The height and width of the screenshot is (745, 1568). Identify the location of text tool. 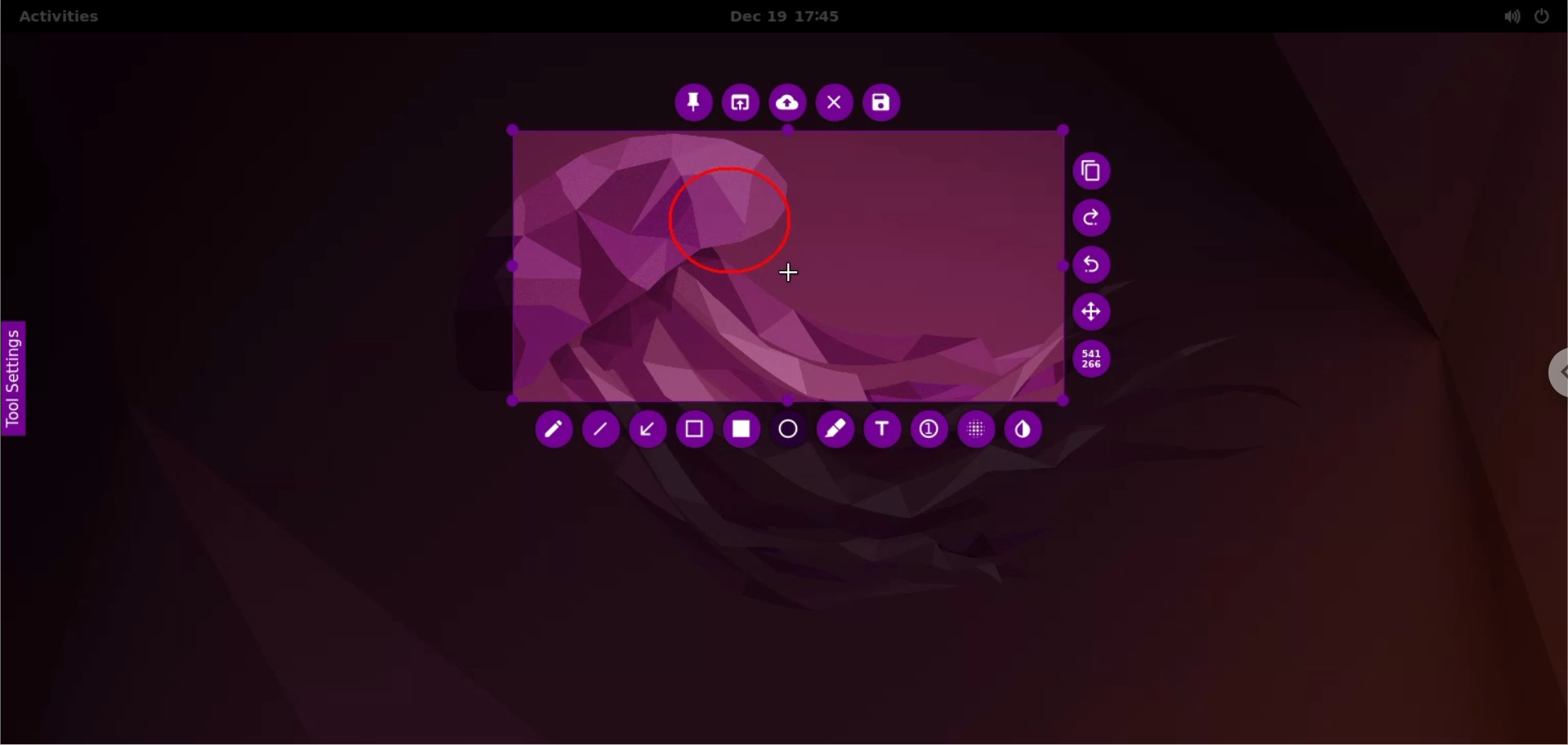
(881, 430).